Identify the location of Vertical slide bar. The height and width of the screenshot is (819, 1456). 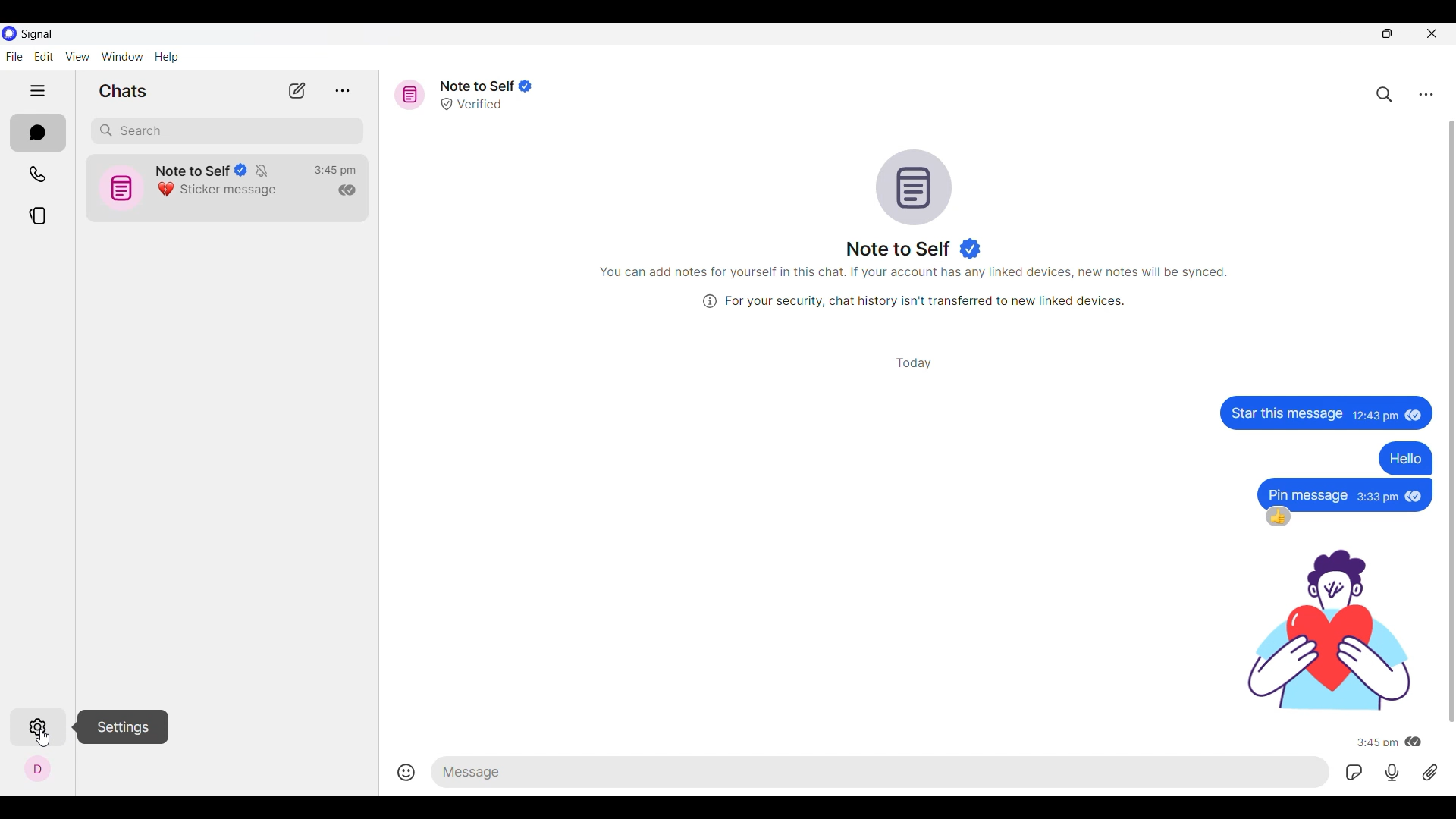
(1455, 420).